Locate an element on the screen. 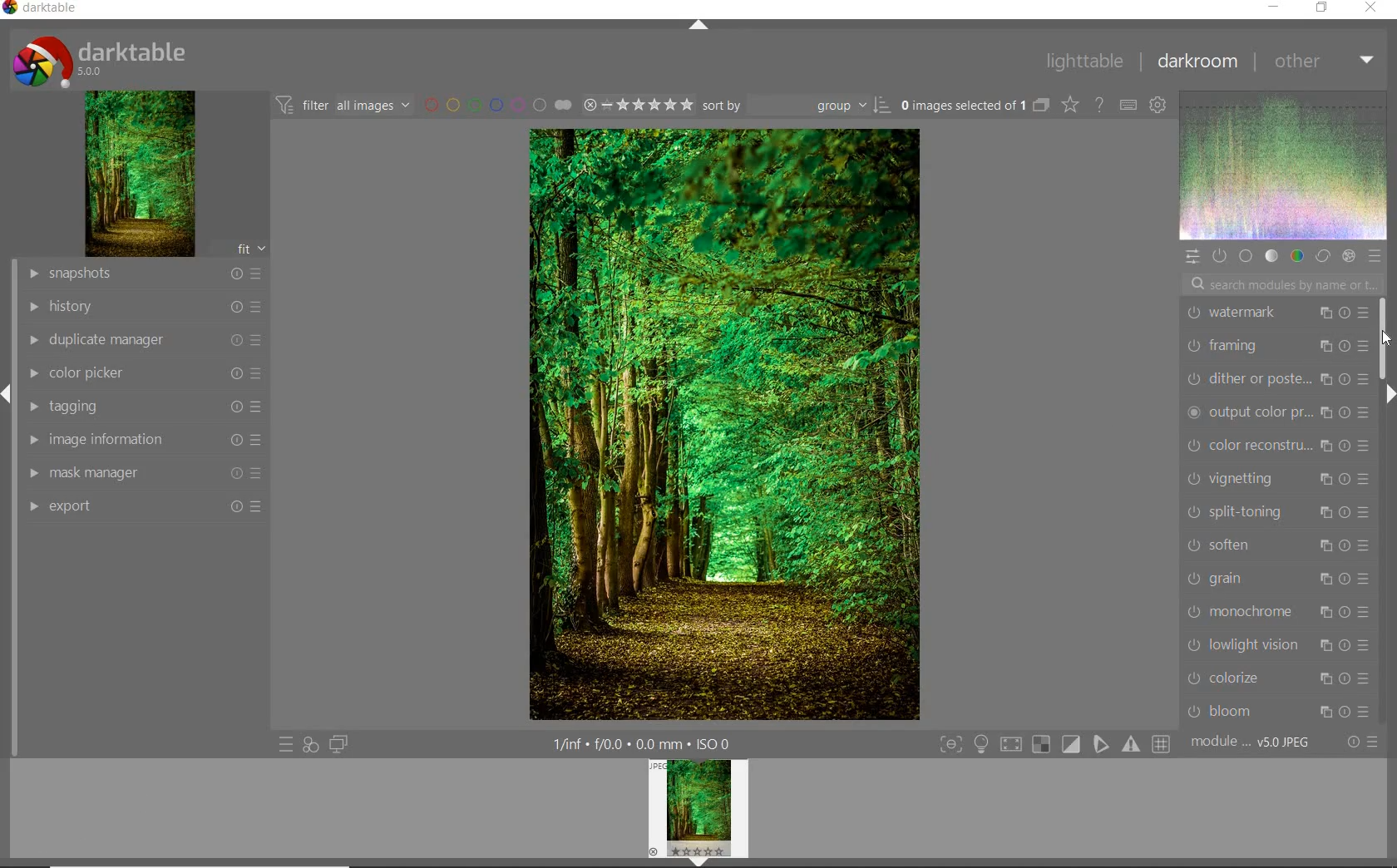 This screenshot has height=868, width=1397. IMAGE INFORMATION is located at coordinates (146, 441).